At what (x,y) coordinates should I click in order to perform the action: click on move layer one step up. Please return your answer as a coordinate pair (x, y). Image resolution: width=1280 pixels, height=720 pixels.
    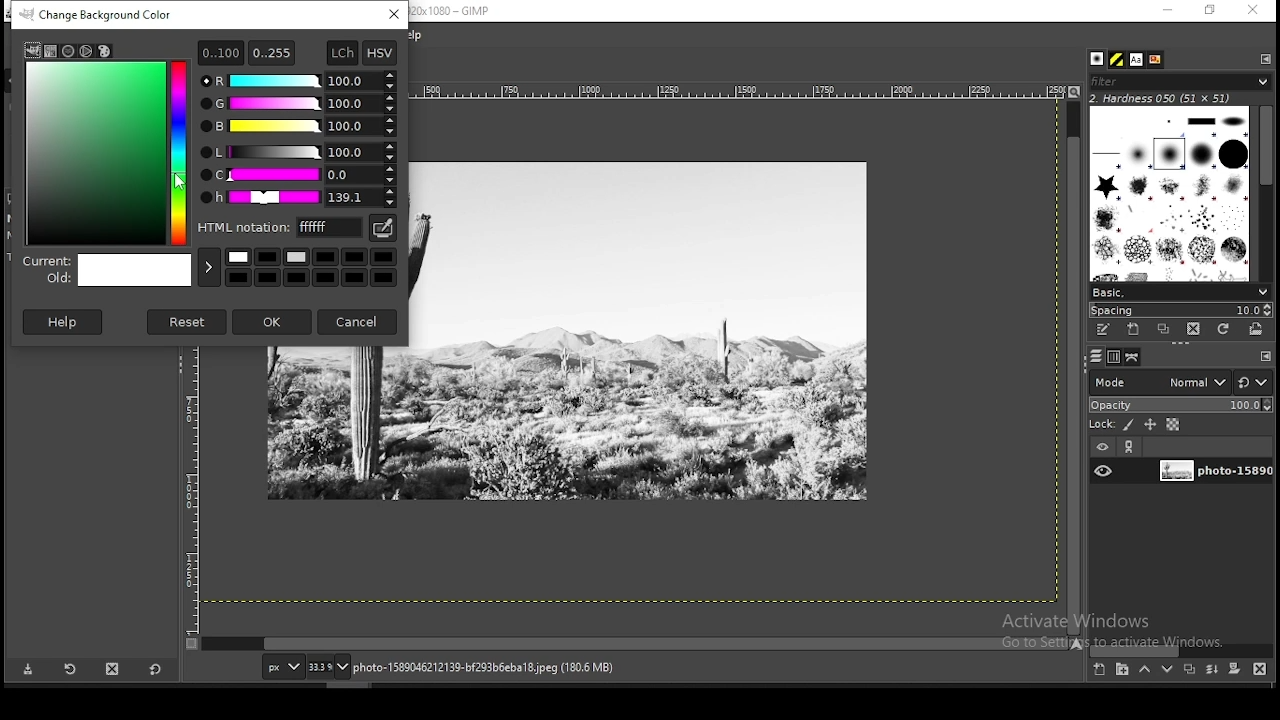
    Looking at the image, I should click on (1144, 669).